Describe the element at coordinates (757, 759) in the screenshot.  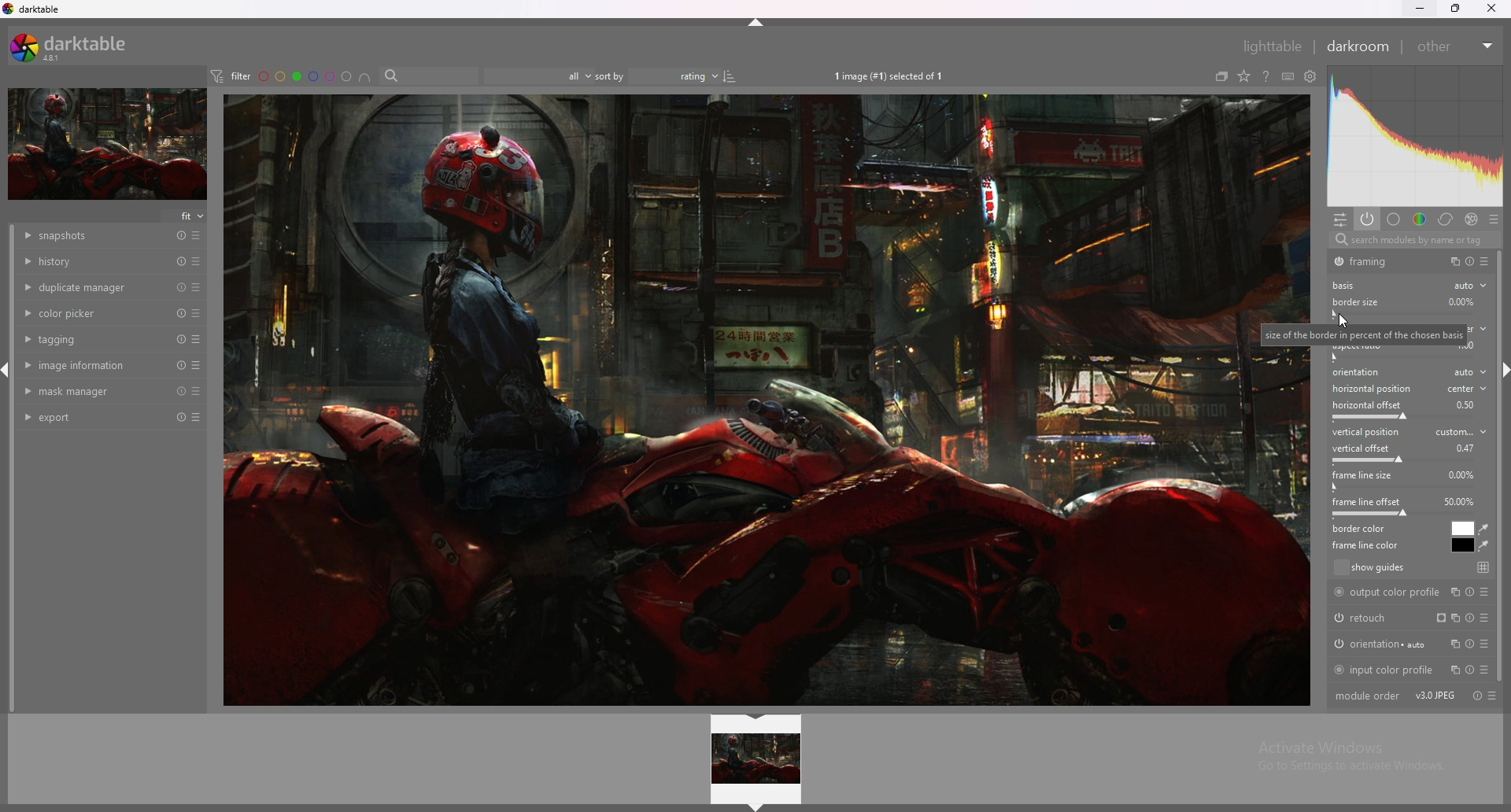
I see `image preview` at that location.